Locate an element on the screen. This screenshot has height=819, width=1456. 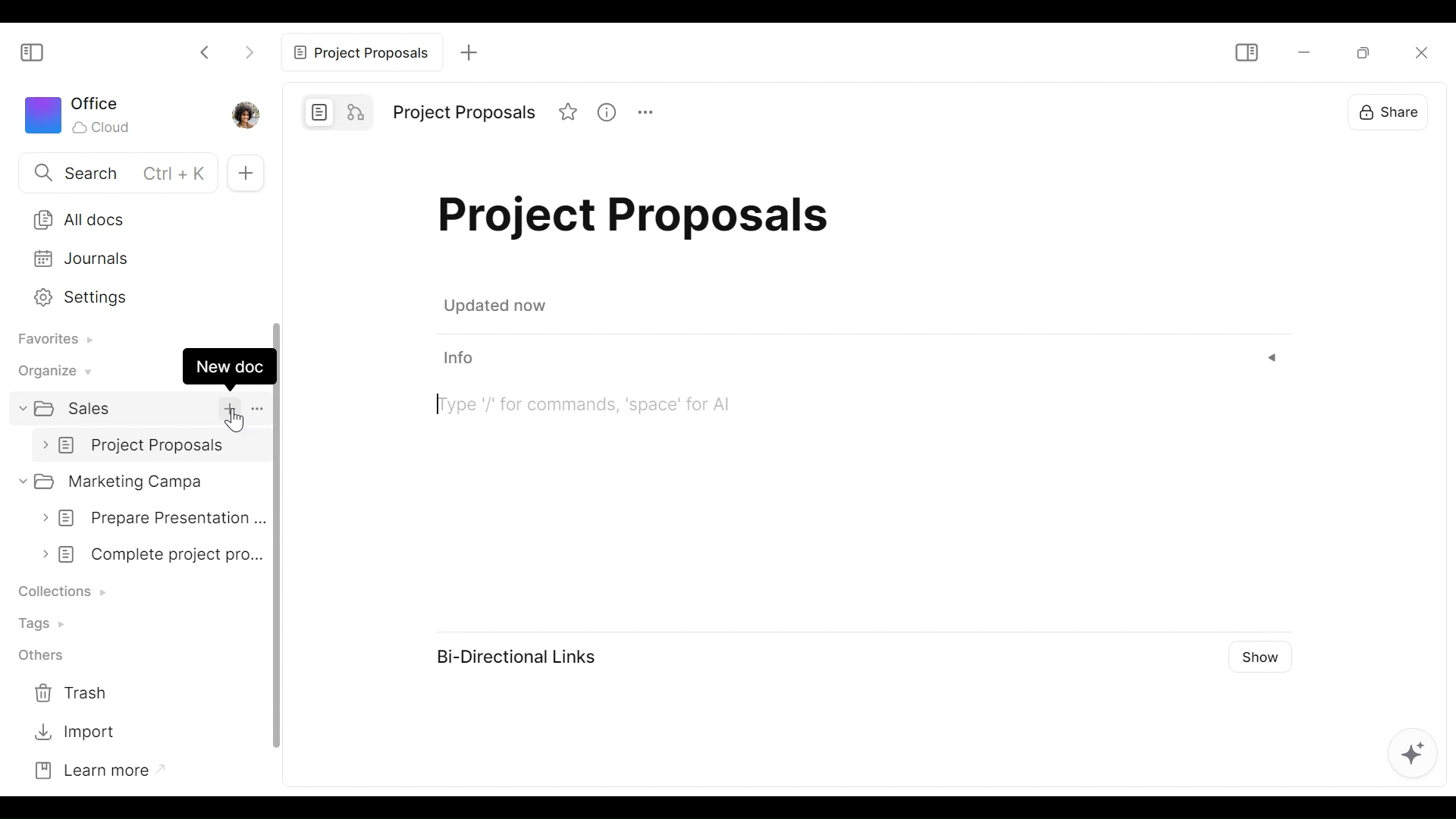
Favorites is located at coordinates (52, 339).